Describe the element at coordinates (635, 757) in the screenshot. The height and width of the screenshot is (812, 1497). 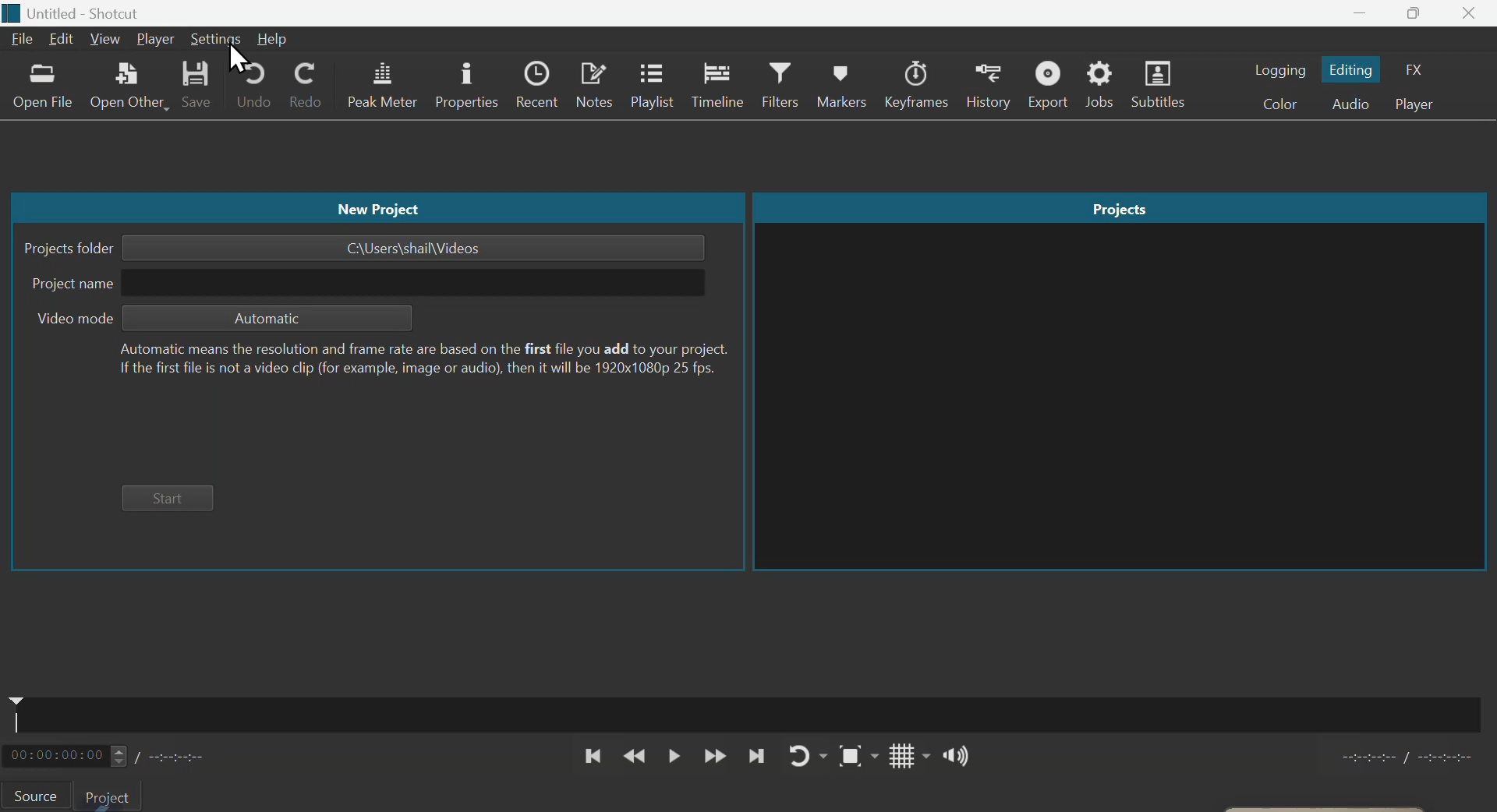
I see `Backward` at that location.